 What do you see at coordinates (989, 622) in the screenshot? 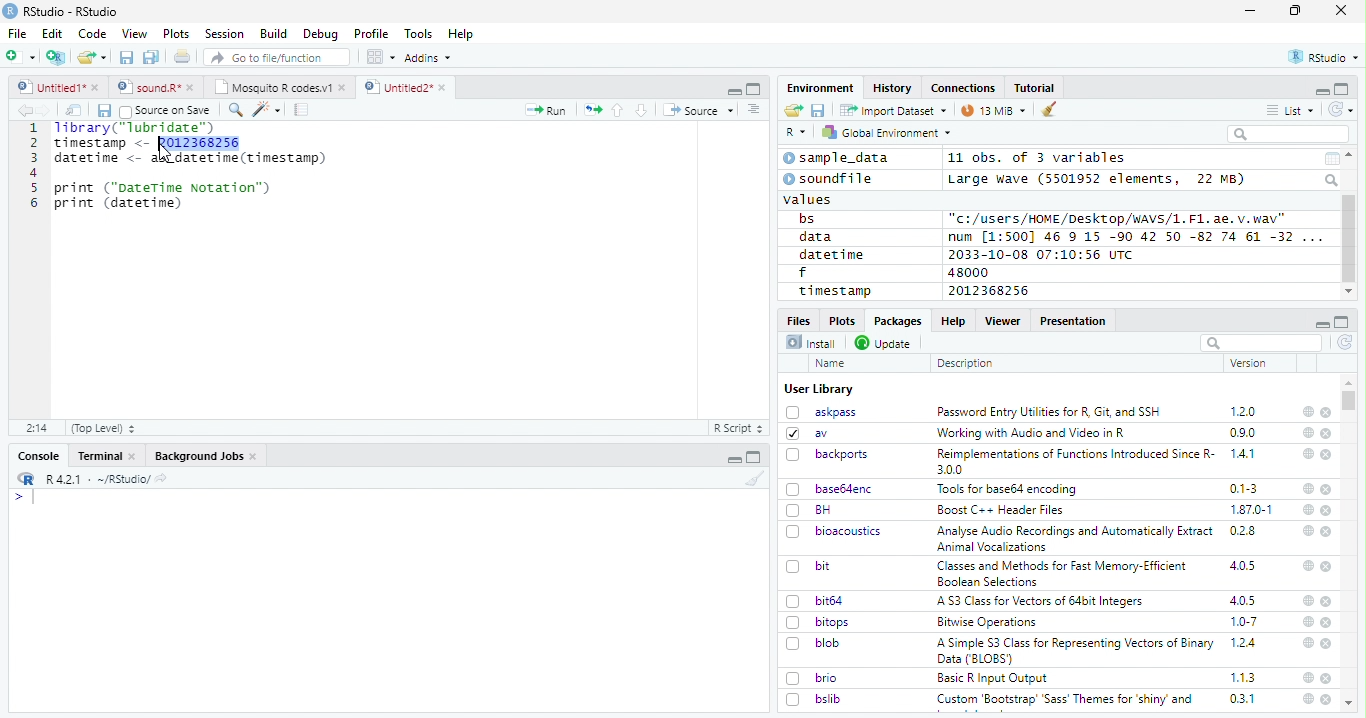
I see `Bitwise Operations` at bounding box center [989, 622].